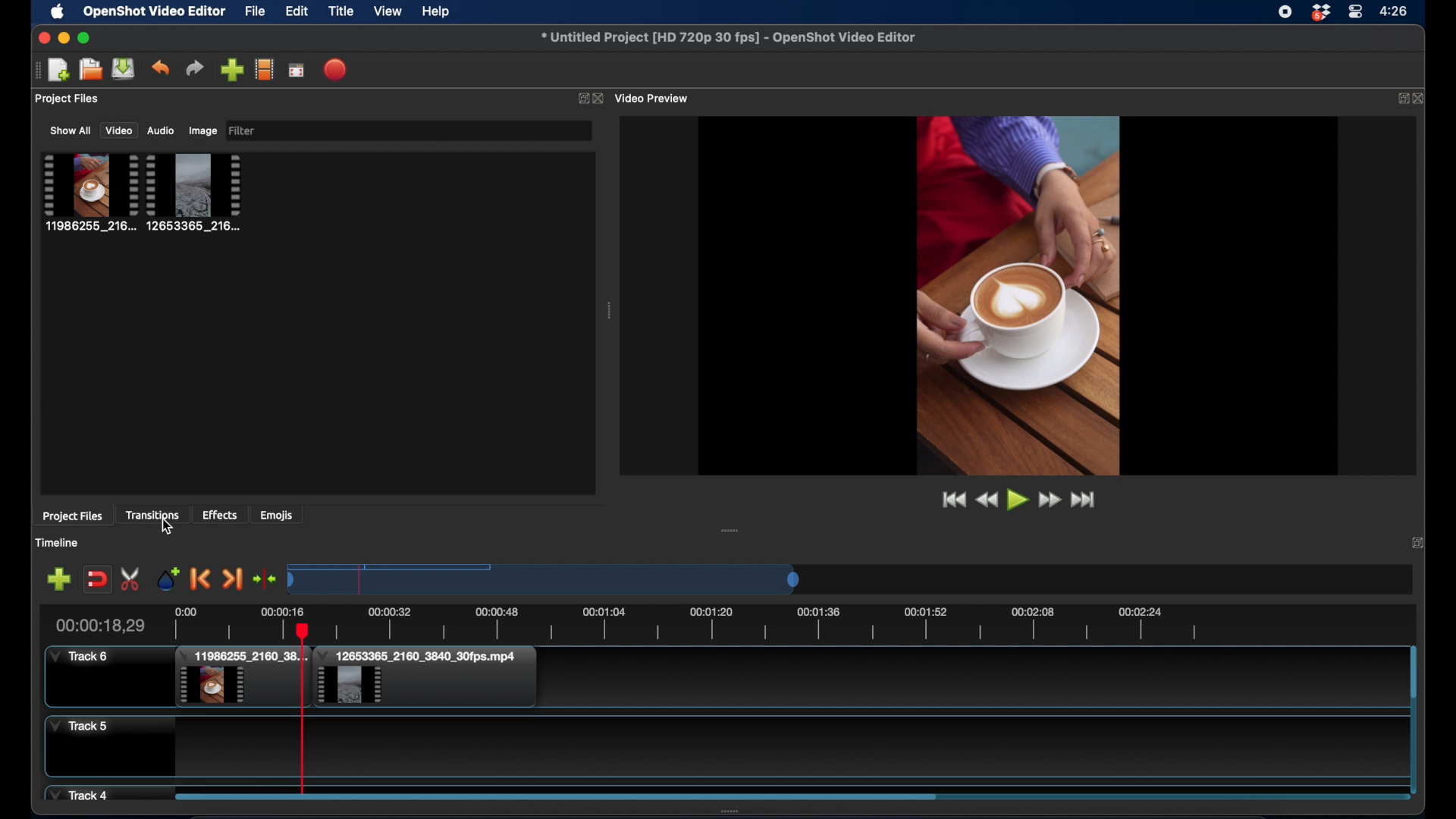  What do you see at coordinates (232, 579) in the screenshot?
I see `next marker` at bounding box center [232, 579].